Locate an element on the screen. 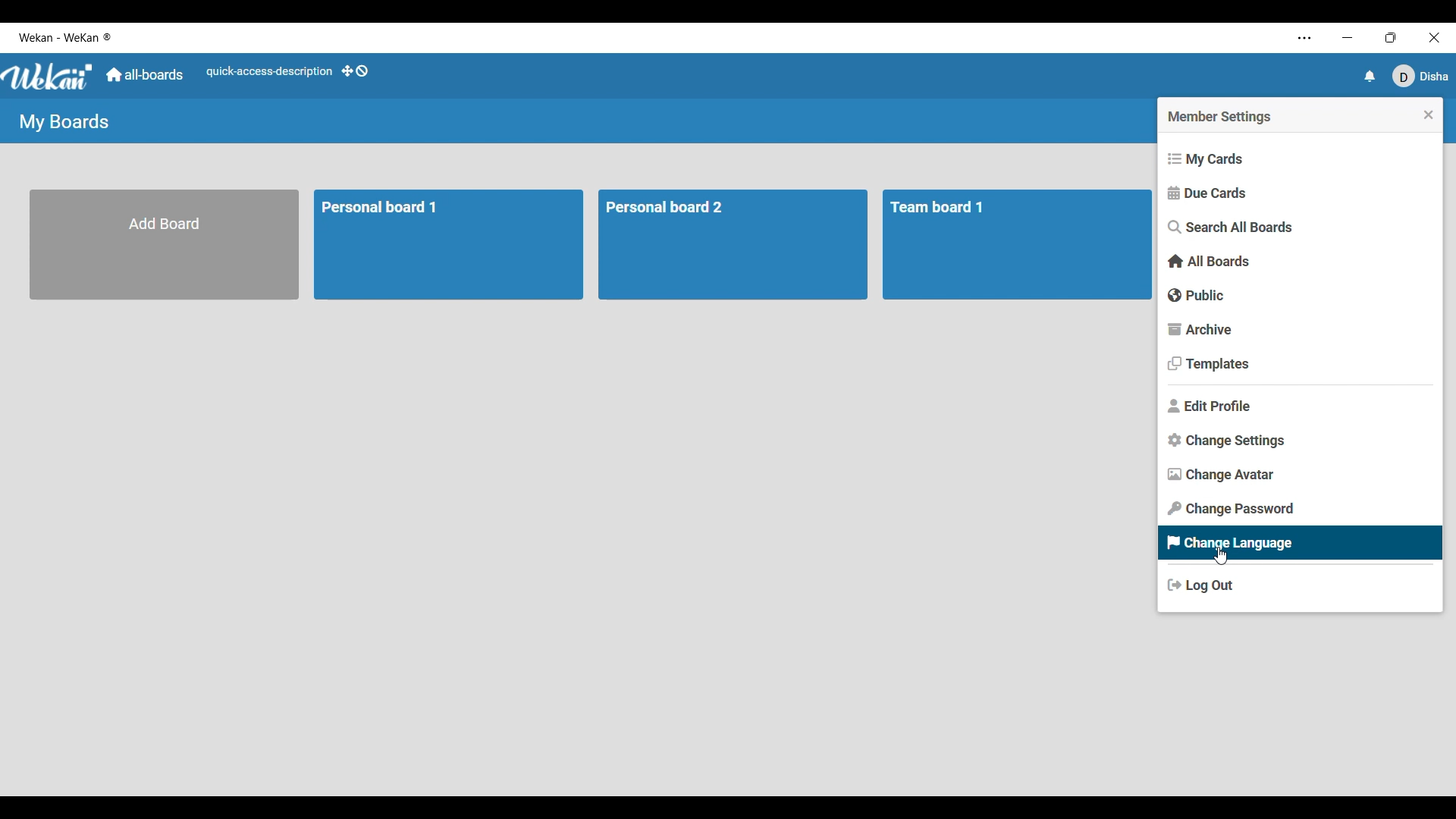  cursor is located at coordinates (1226, 558).